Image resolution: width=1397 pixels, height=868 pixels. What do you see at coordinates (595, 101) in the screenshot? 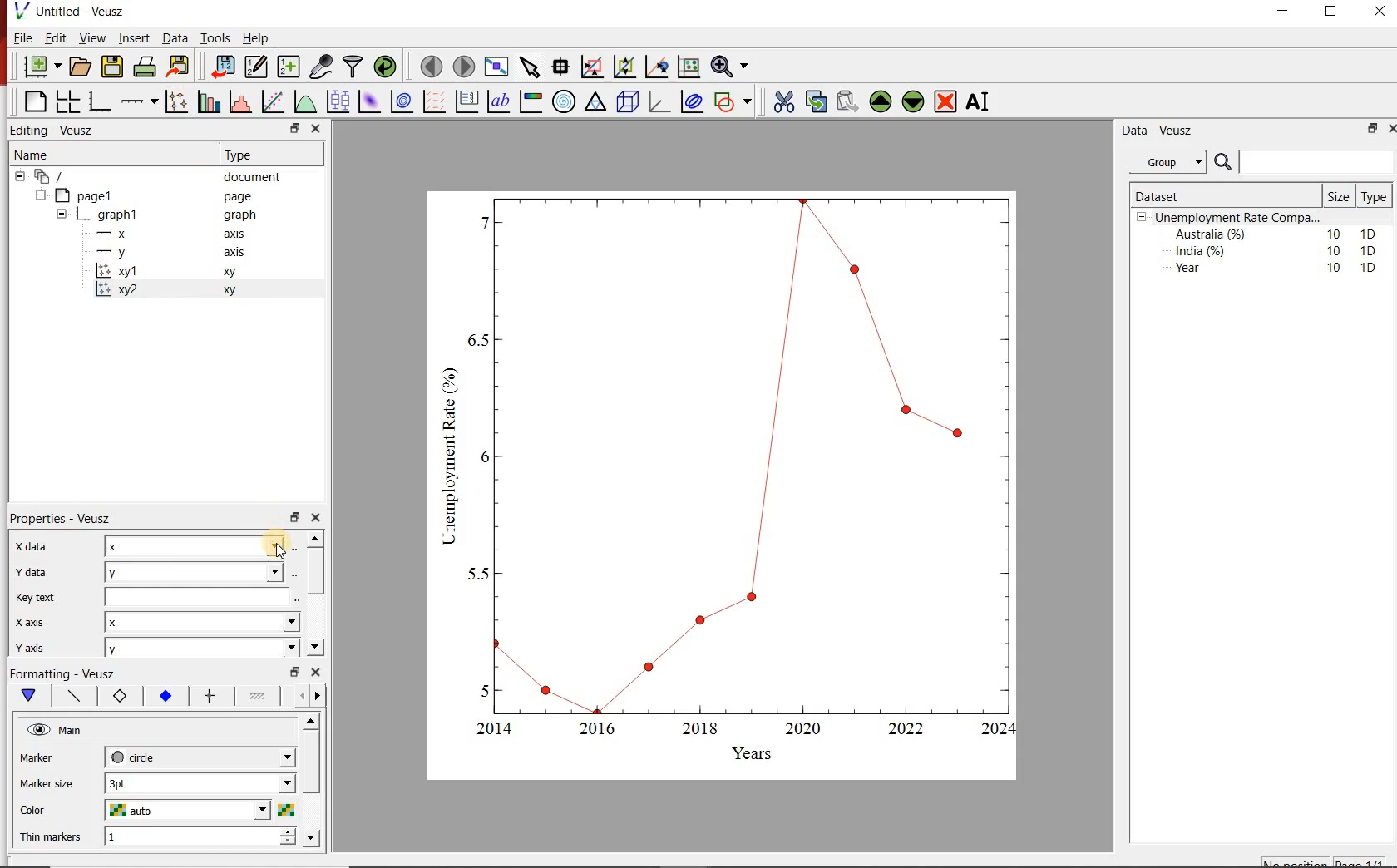
I see `ternary graph` at bounding box center [595, 101].